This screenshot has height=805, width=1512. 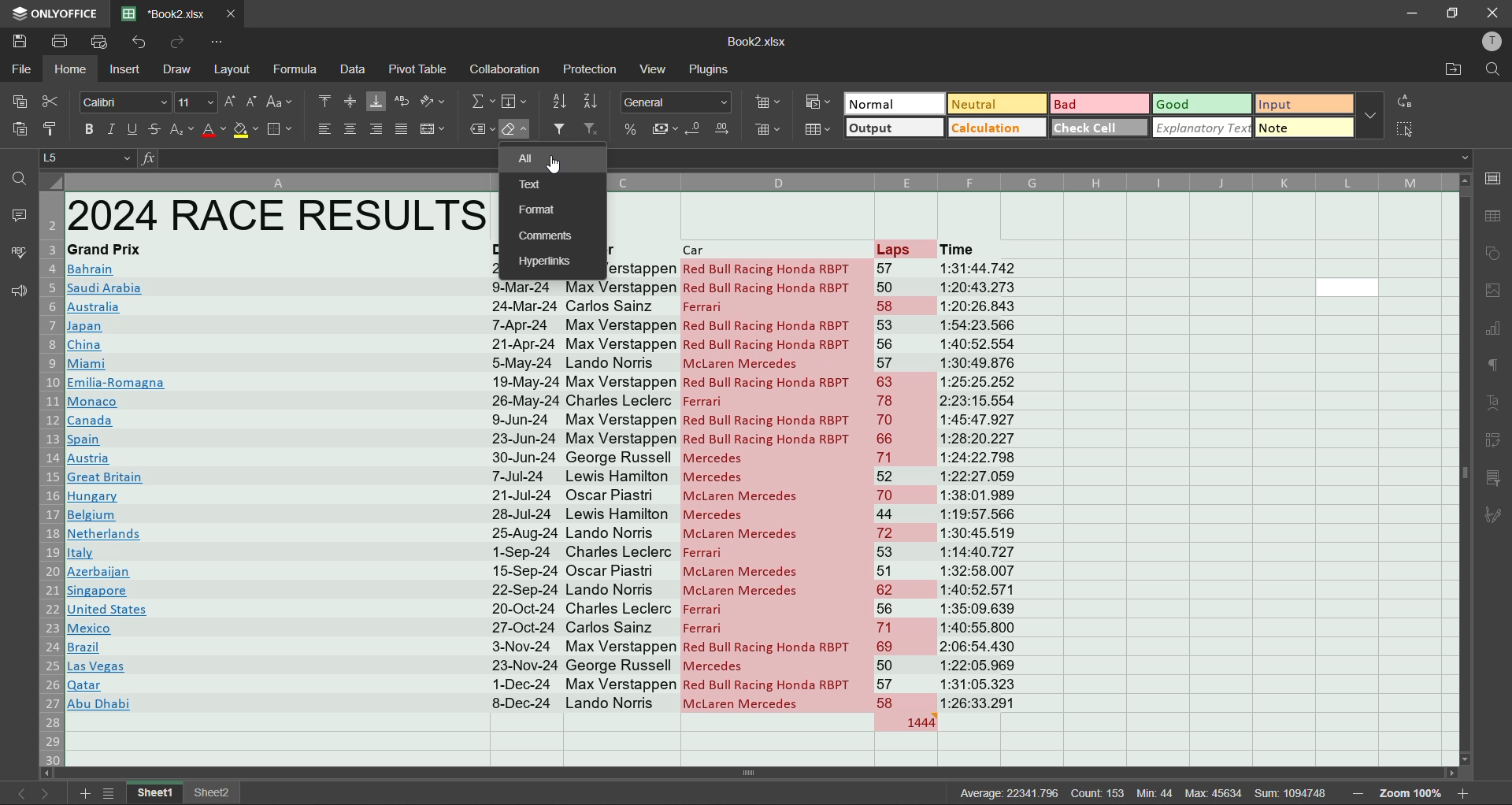 What do you see at coordinates (1489, 43) in the screenshot?
I see `profile` at bounding box center [1489, 43].